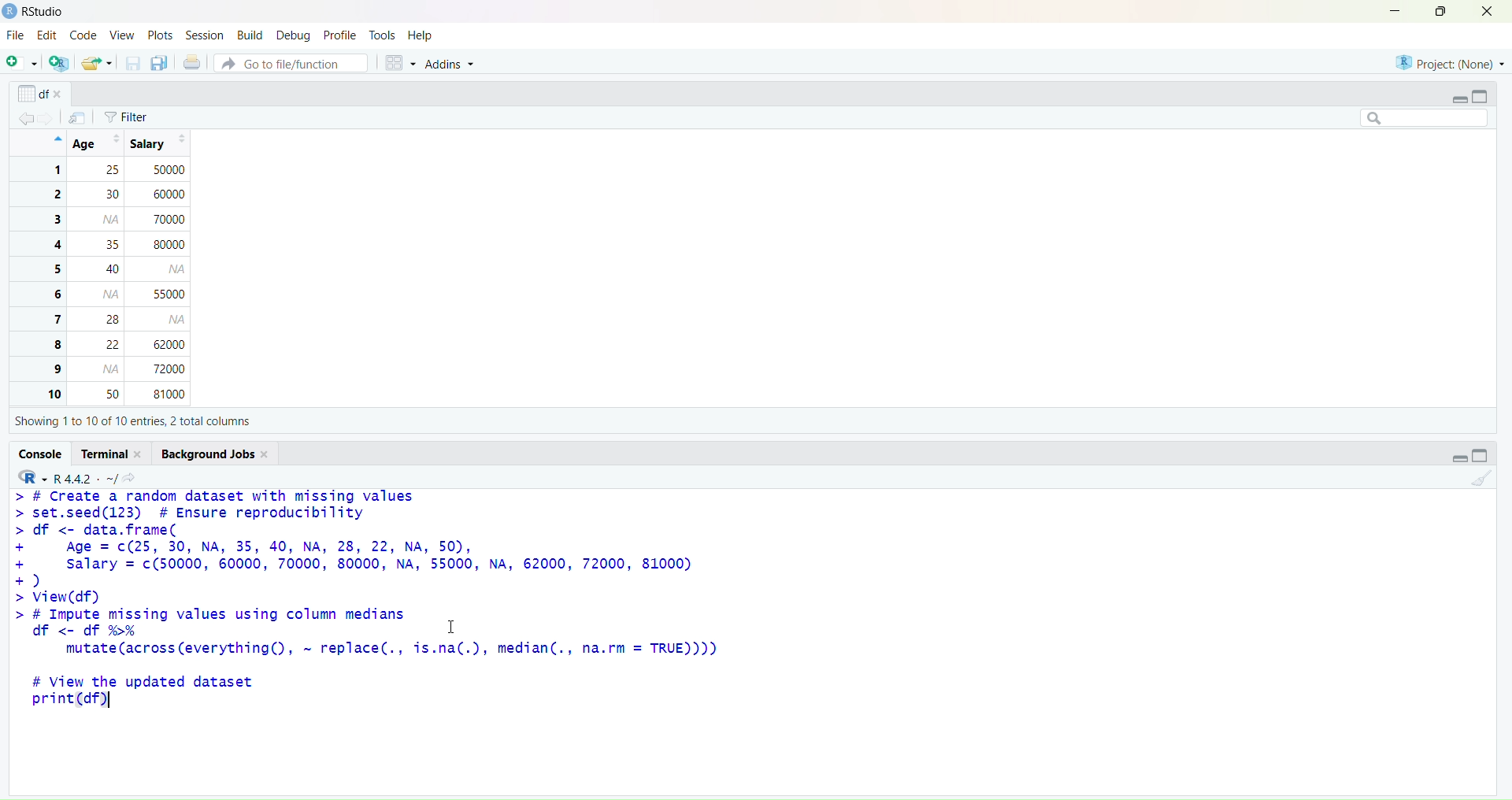 The width and height of the screenshot is (1512, 800). Describe the element at coordinates (392, 546) in the screenshot. I see `> # Create a random dataset with missing values> set.seed(123) # Ensure reproducibility> df <- data.frame(+ Age = c(25, 30, NA, 35, 40, NA, 28, 22, NA, 50),+ salary = c(50000, 60000, 70000, 80000, NA, 55000, NA, 62000, 72000, 81000)+)> view(df)` at that location.